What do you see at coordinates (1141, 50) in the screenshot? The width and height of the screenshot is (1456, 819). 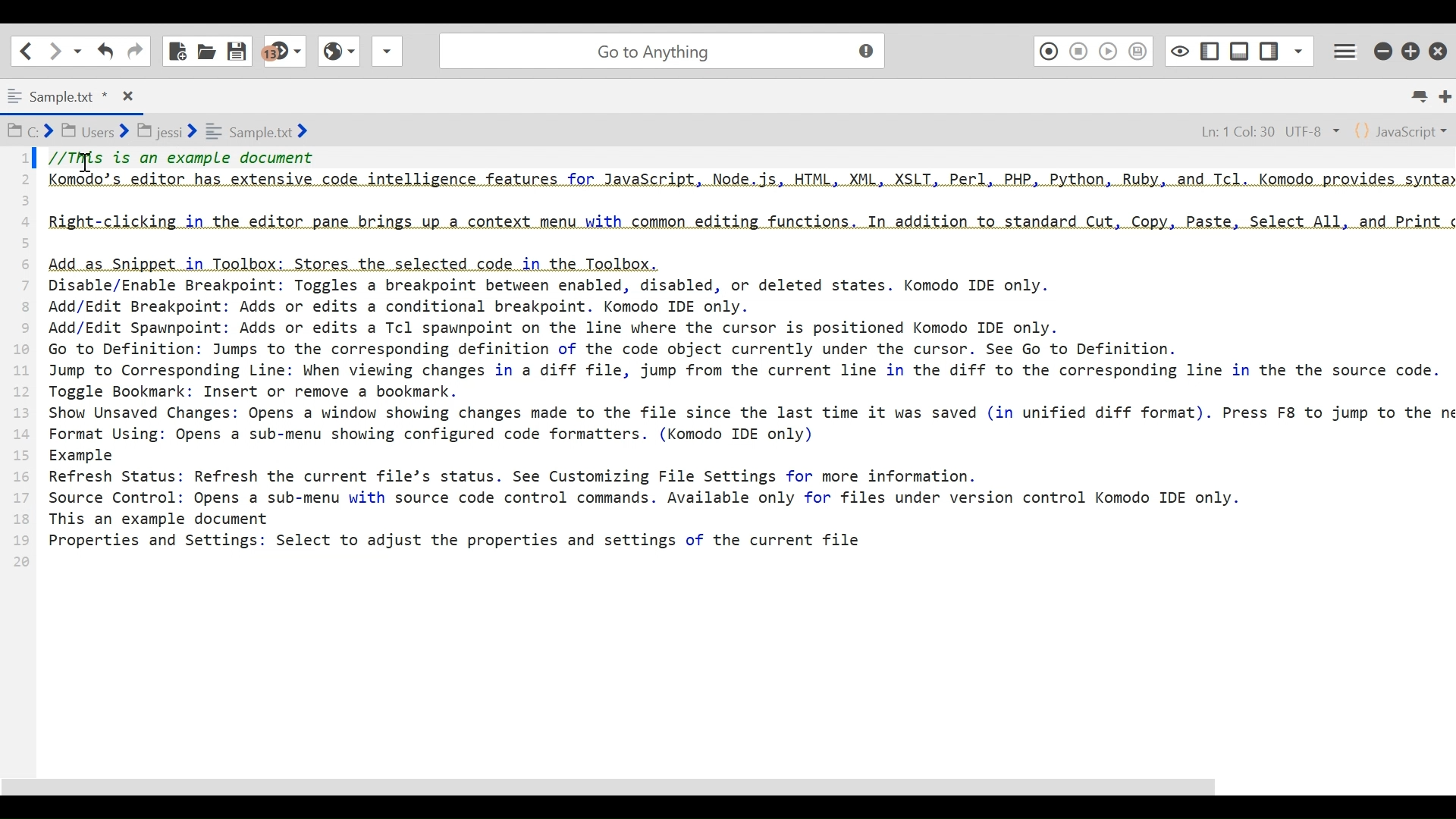 I see `Save Macro to Toolboz as Superscript` at bounding box center [1141, 50].